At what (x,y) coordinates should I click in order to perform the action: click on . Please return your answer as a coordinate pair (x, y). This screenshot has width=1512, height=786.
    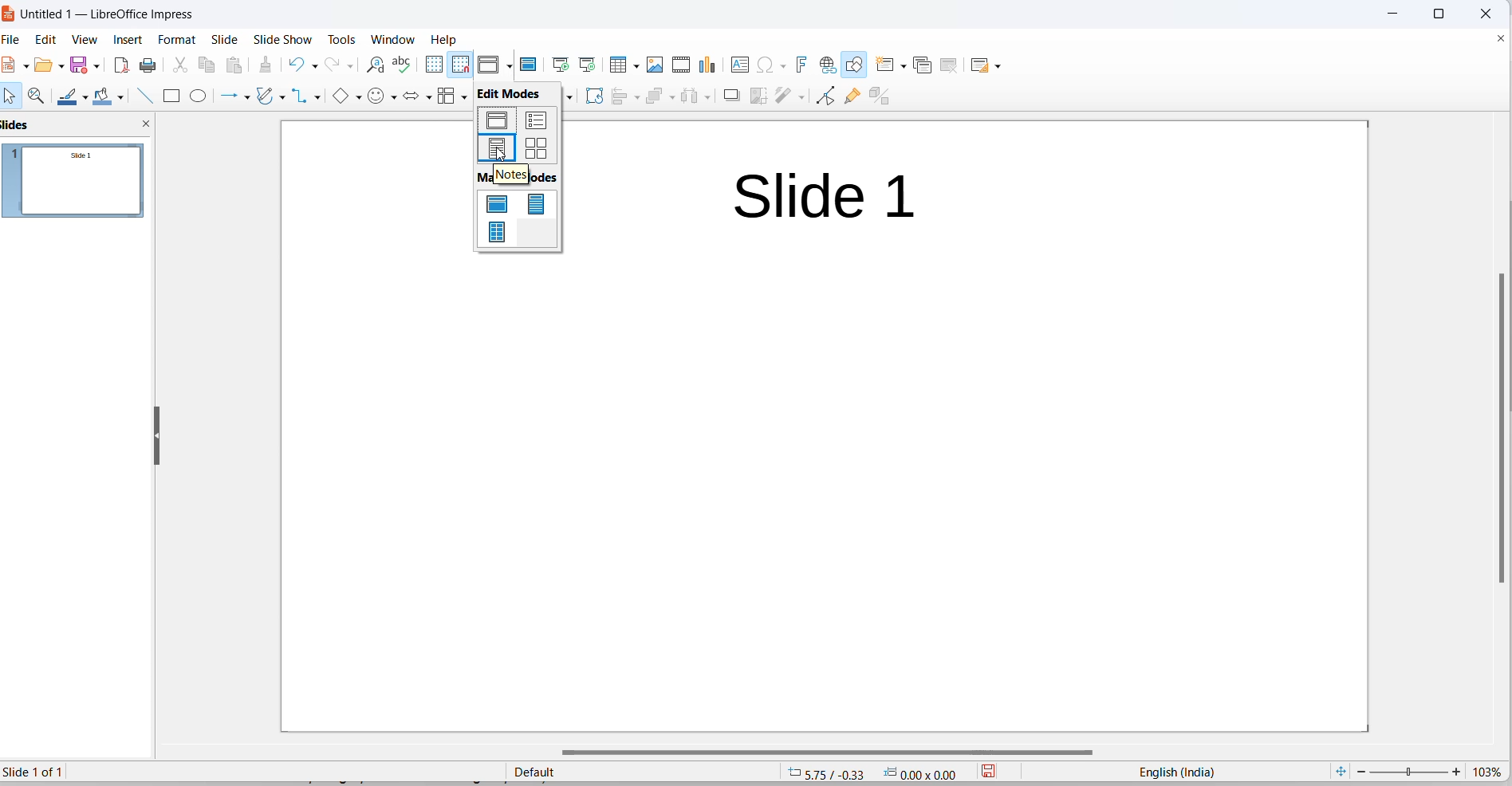
    Looking at the image, I should click on (1111, 478).